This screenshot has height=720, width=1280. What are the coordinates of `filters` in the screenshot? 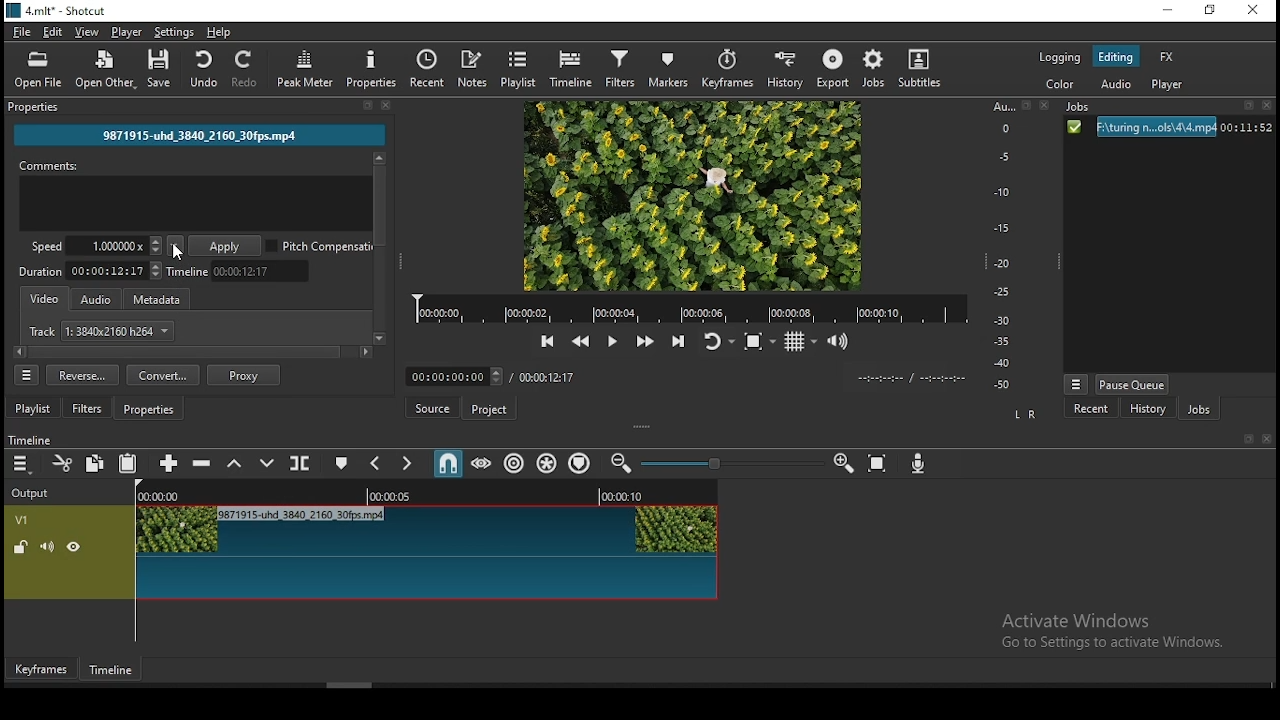 It's located at (623, 67).